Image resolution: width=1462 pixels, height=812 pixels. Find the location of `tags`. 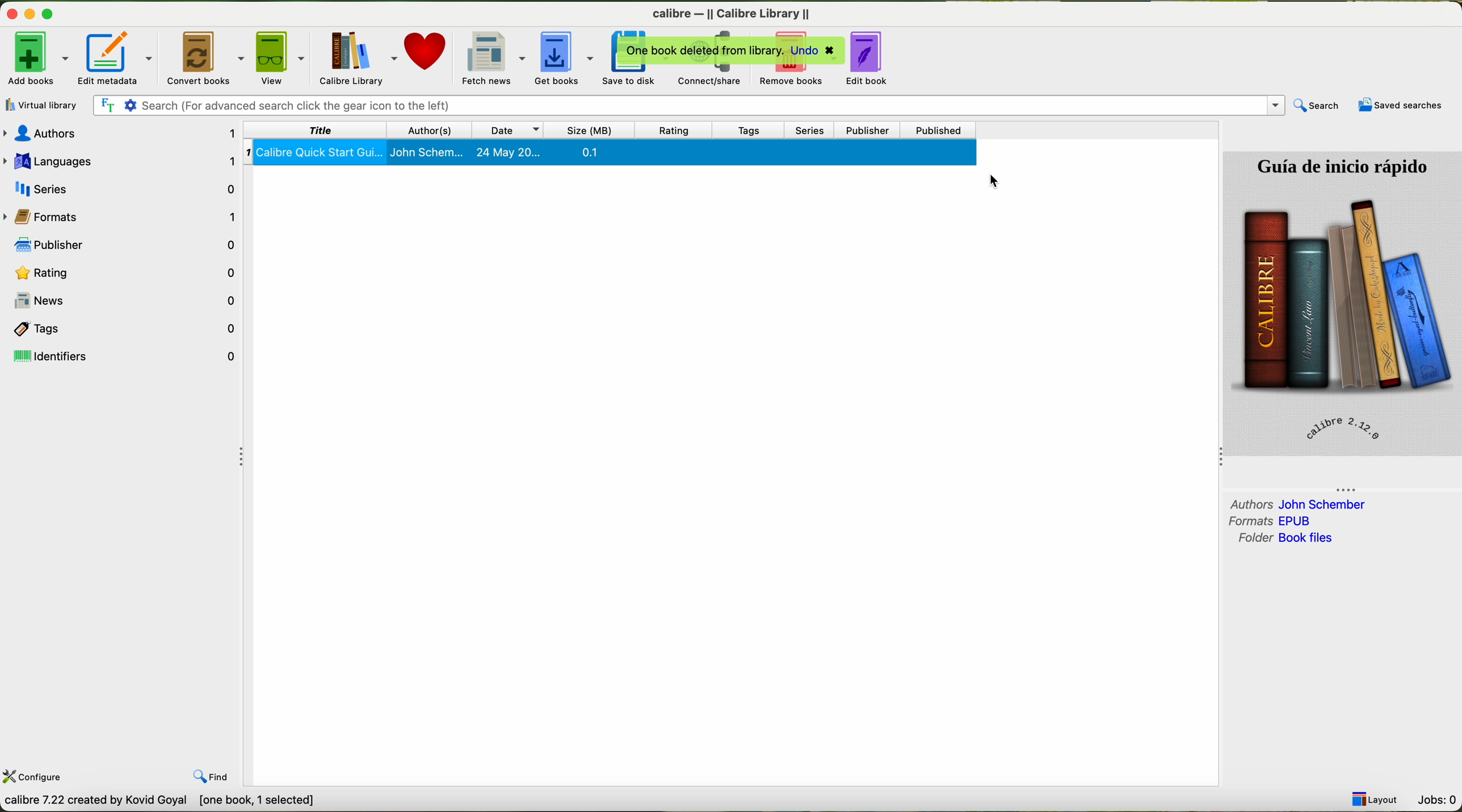

tags is located at coordinates (120, 330).